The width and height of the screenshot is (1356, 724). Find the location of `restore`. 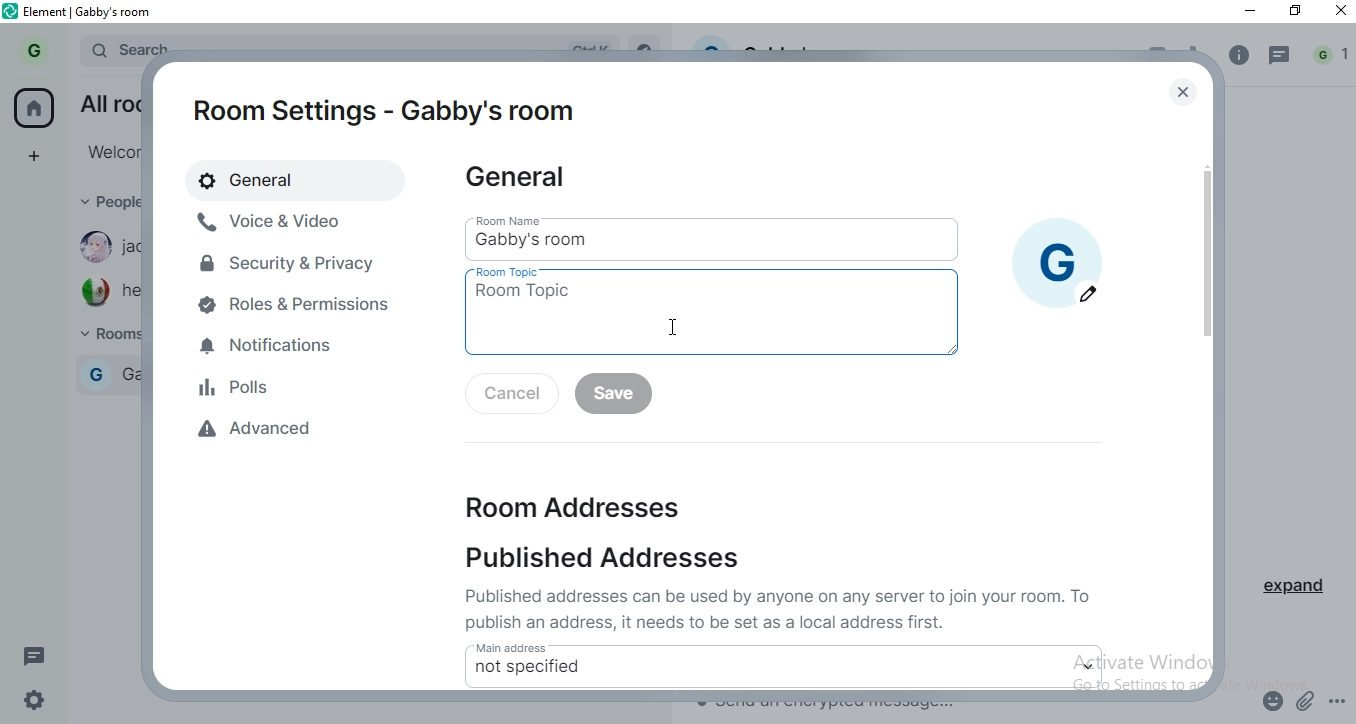

restore is located at coordinates (1296, 12).